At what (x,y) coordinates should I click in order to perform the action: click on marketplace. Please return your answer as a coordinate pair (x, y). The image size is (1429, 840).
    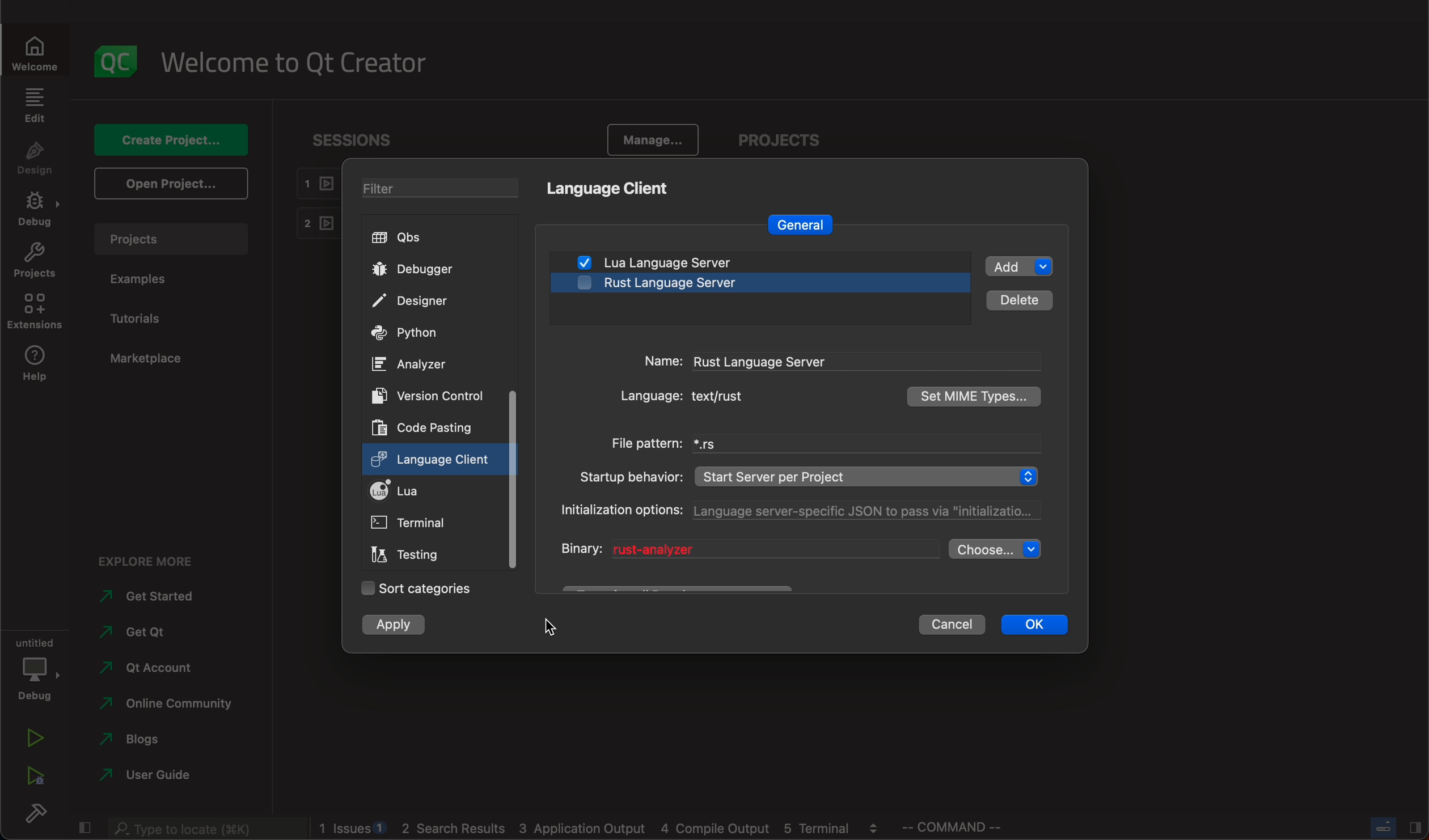
    Looking at the image, I should click on (146, 360).